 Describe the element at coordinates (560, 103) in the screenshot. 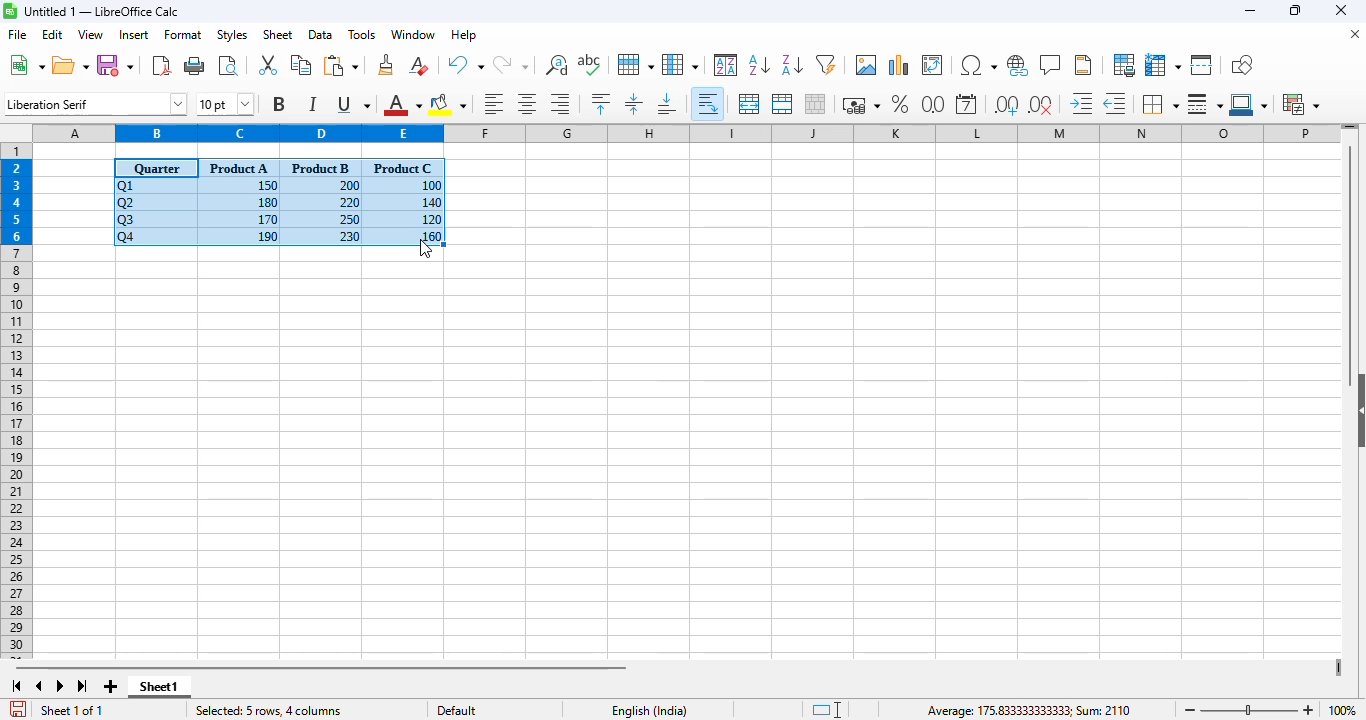

I see `align right` at that location.